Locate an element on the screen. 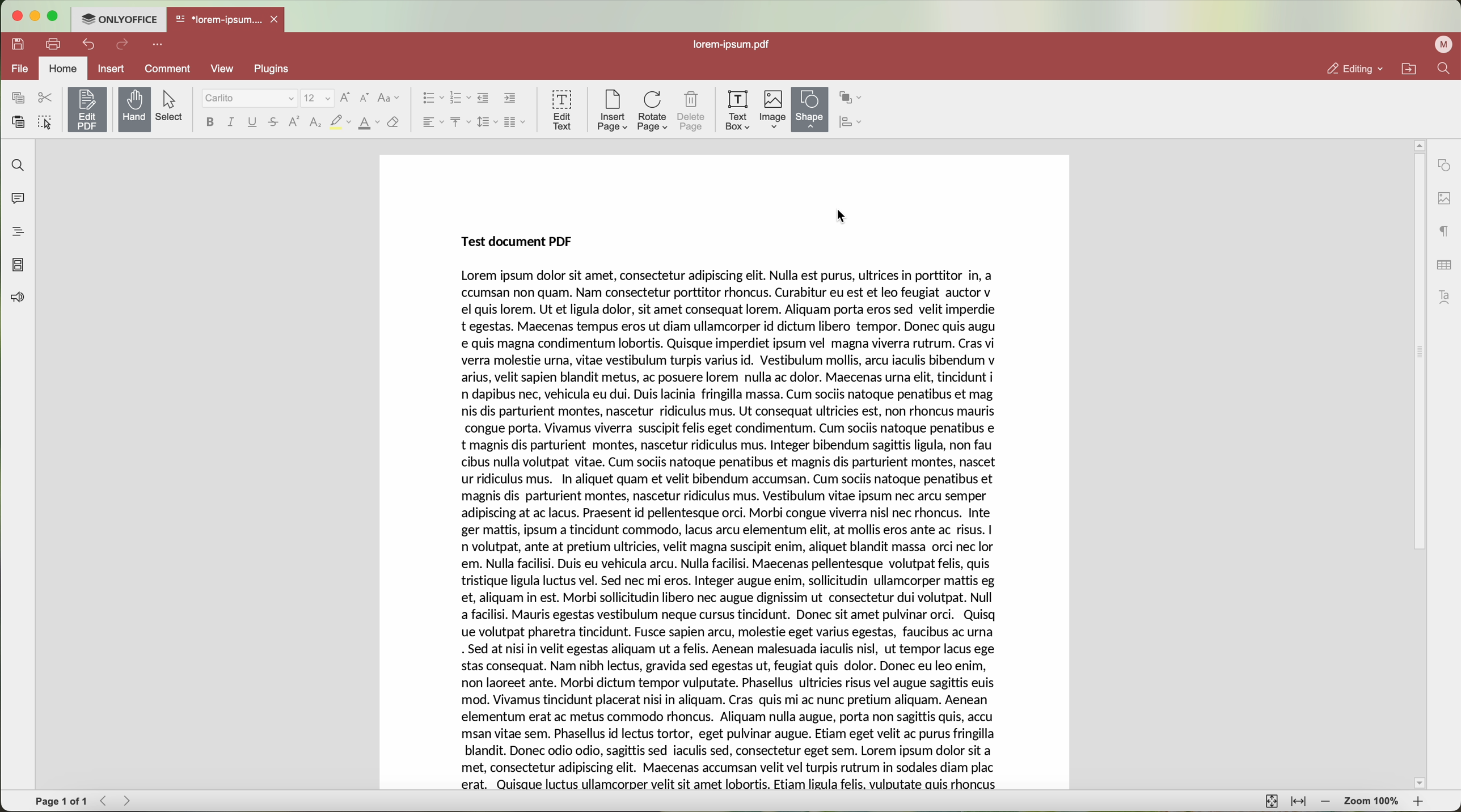  bullets is located at coordinates (432, 99).